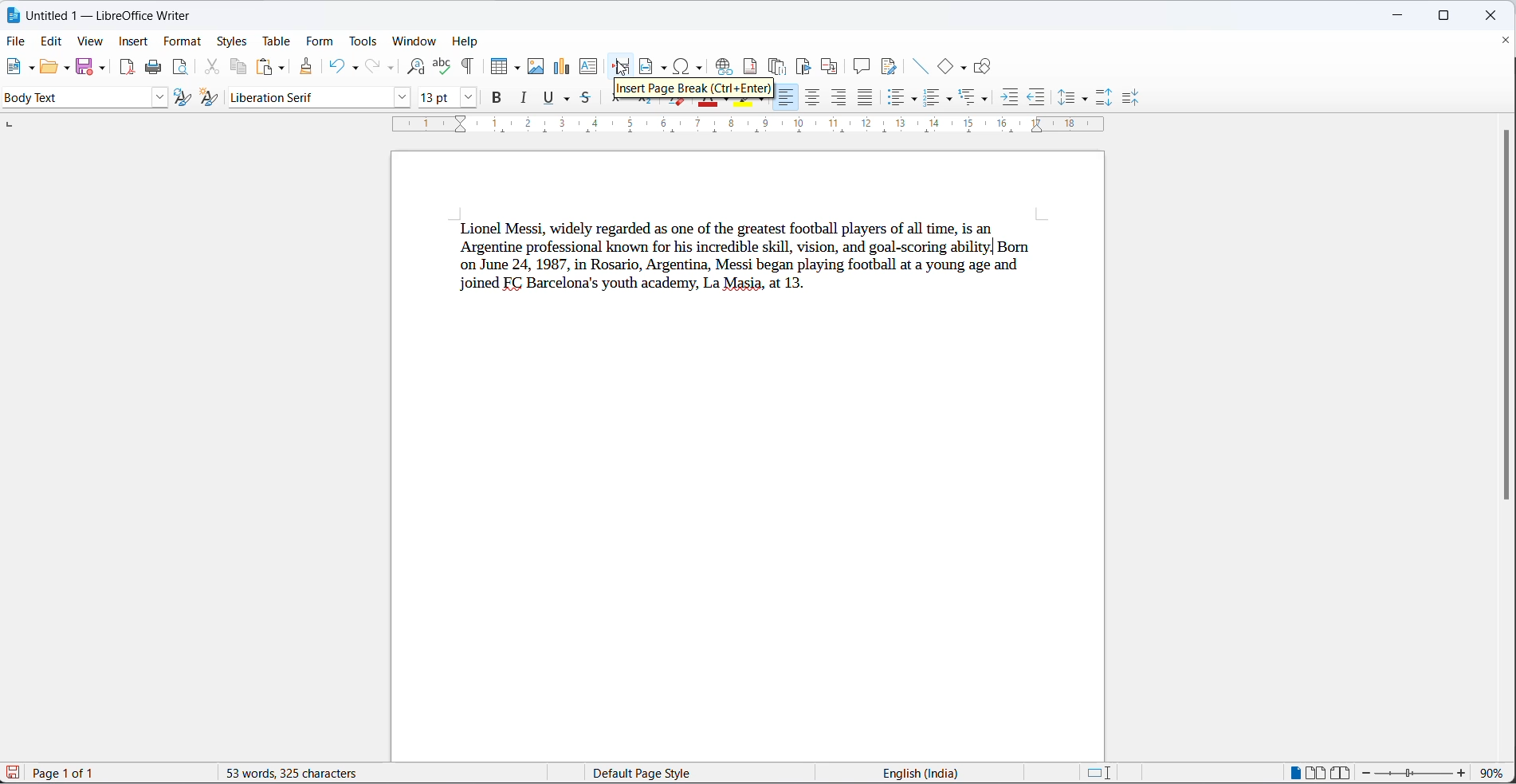 This screenshot has height=784, width=1516. What do you see at coordinates (353, 69) in the screenshot?
I see `undo options` at bounding box center [353, 69].